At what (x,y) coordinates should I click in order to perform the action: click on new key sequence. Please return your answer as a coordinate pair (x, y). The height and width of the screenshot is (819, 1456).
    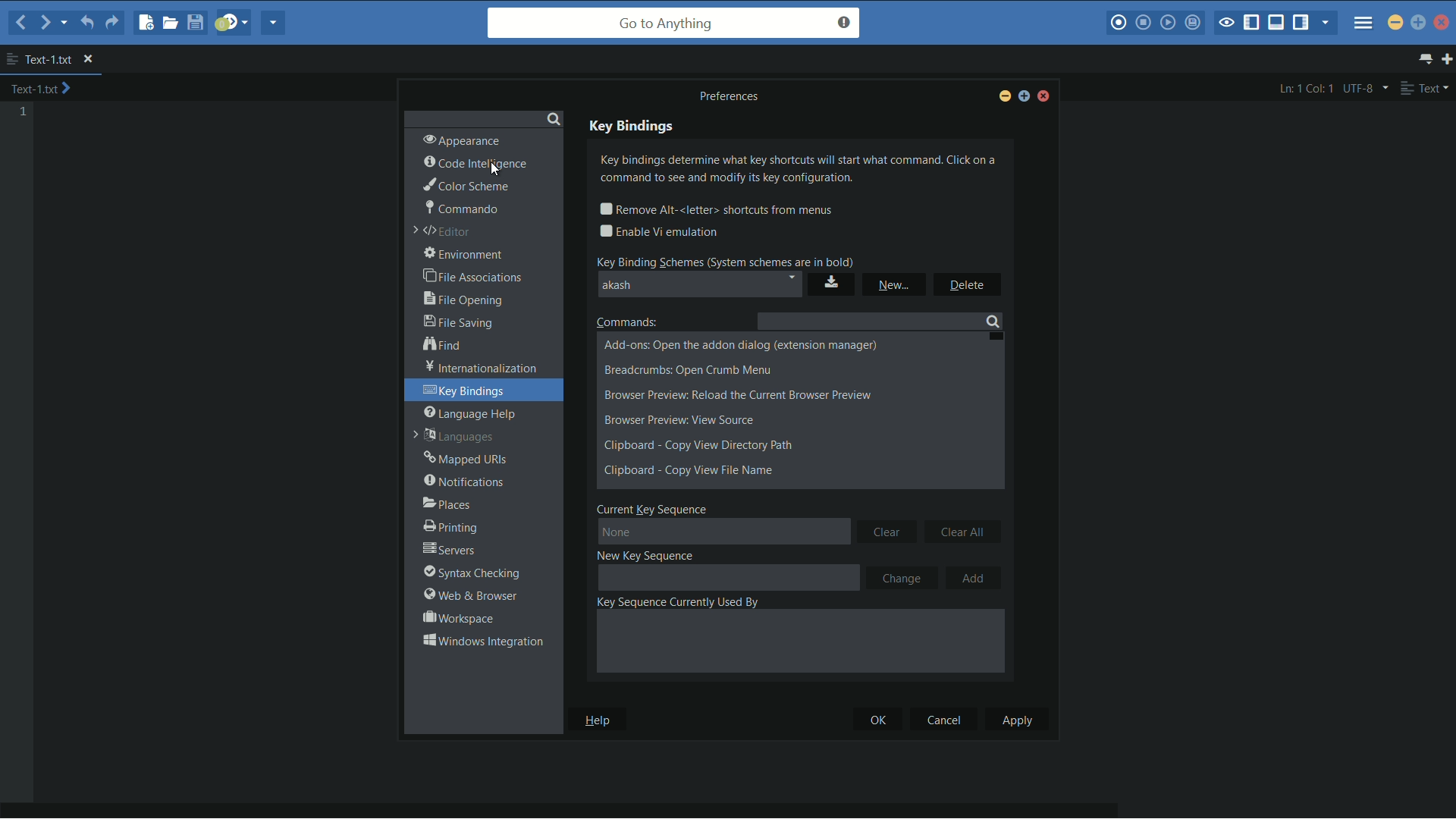
    Looking at the image, I should click on (648, 555).